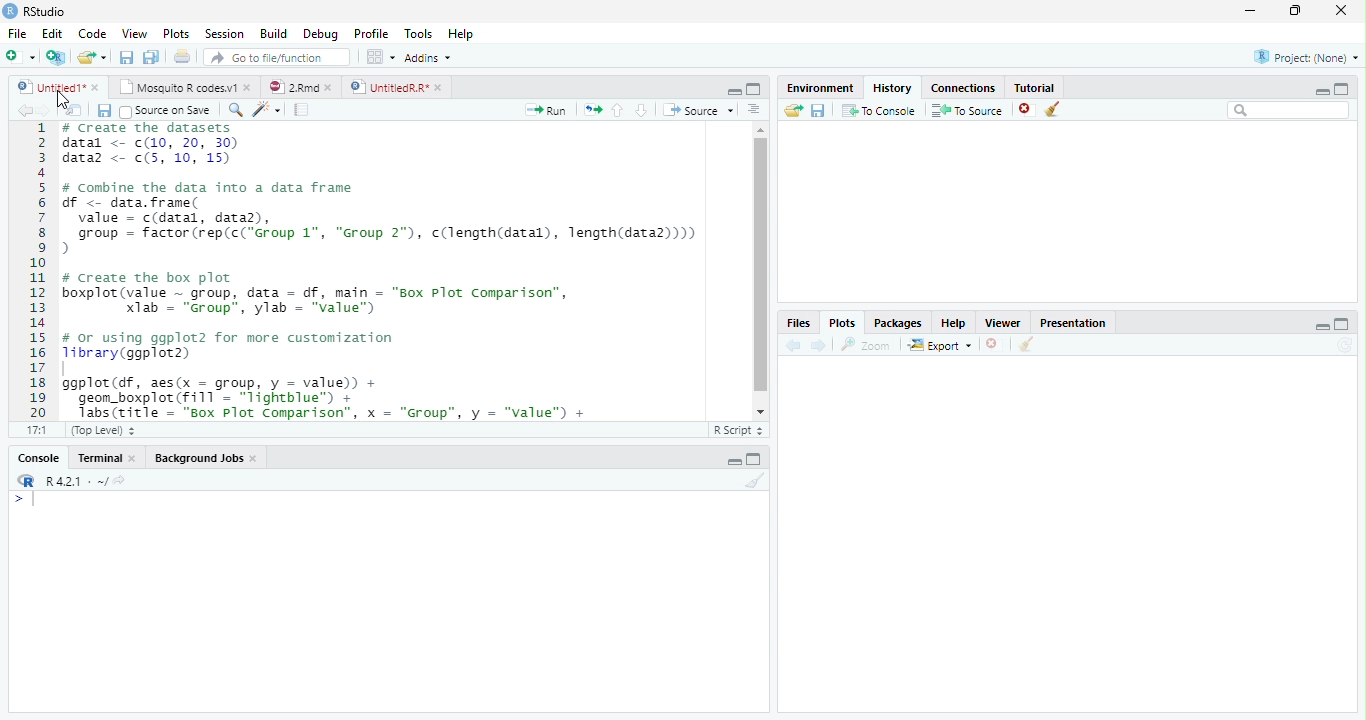 The image size is (1366, 720). Describe the element at coordinates (20, 57) in the screenshot. I see `New file` at that location.